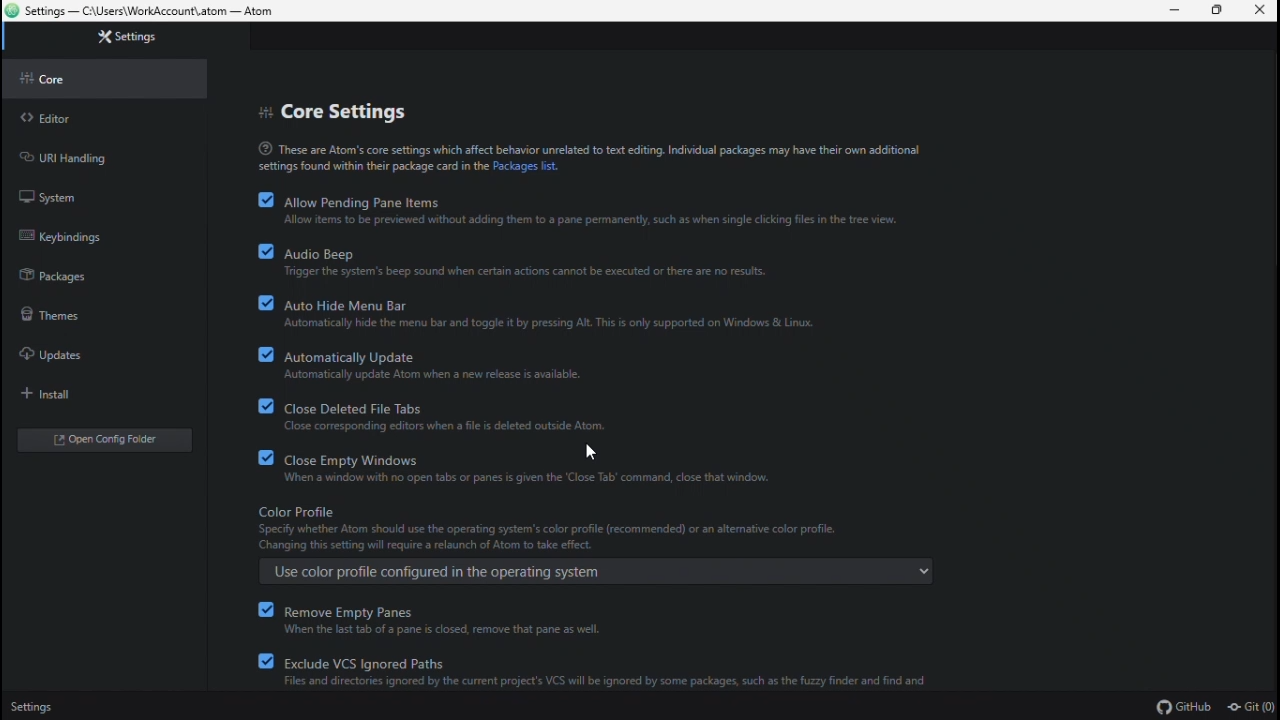 The image size is (1280, 720). What do you see at coordinates (606, 159) in the screenshot?
I see `text` at bounding box center [606, 159].